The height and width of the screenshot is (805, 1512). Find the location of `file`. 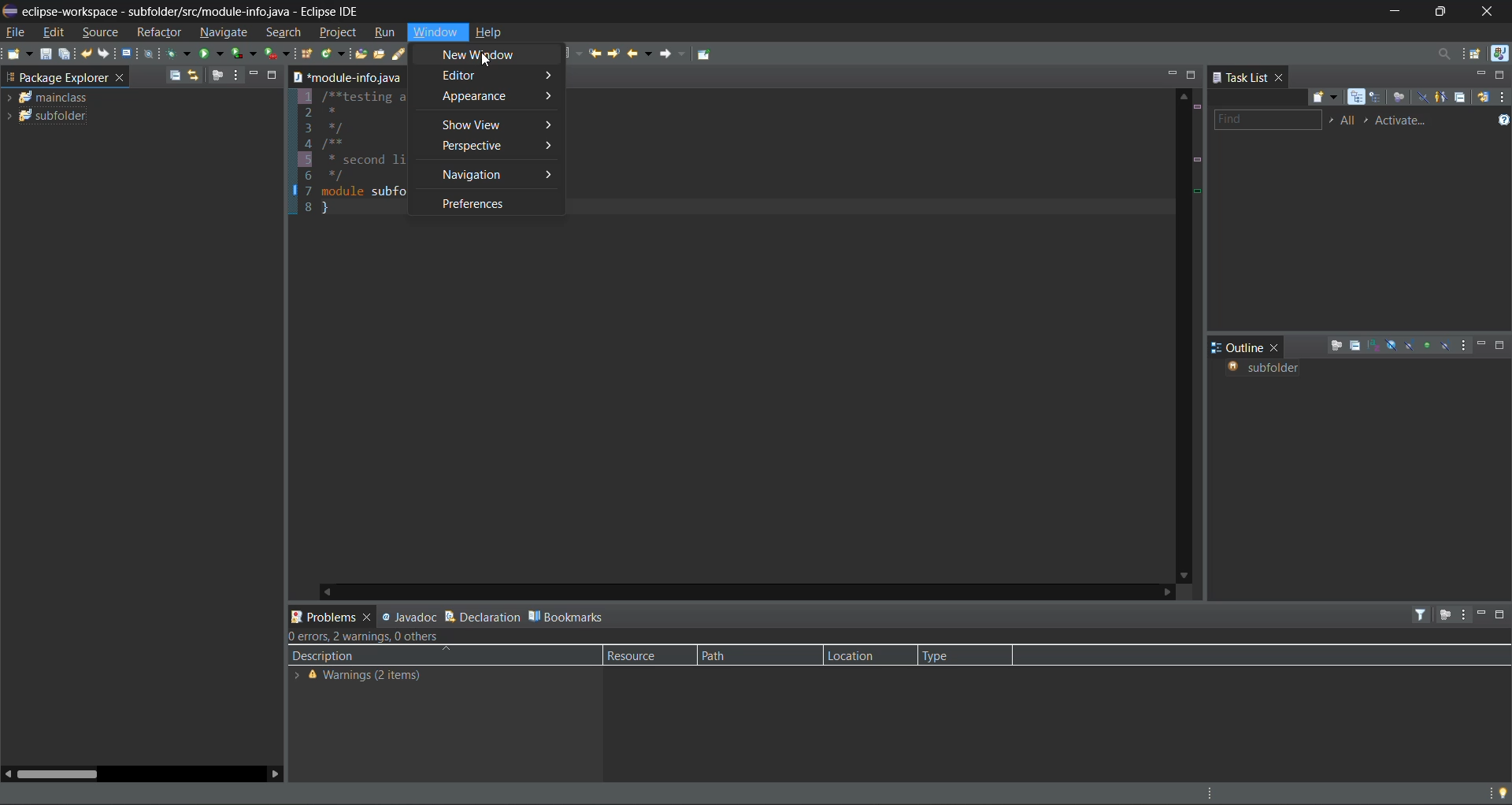

file is located at coordinates (20, 33).